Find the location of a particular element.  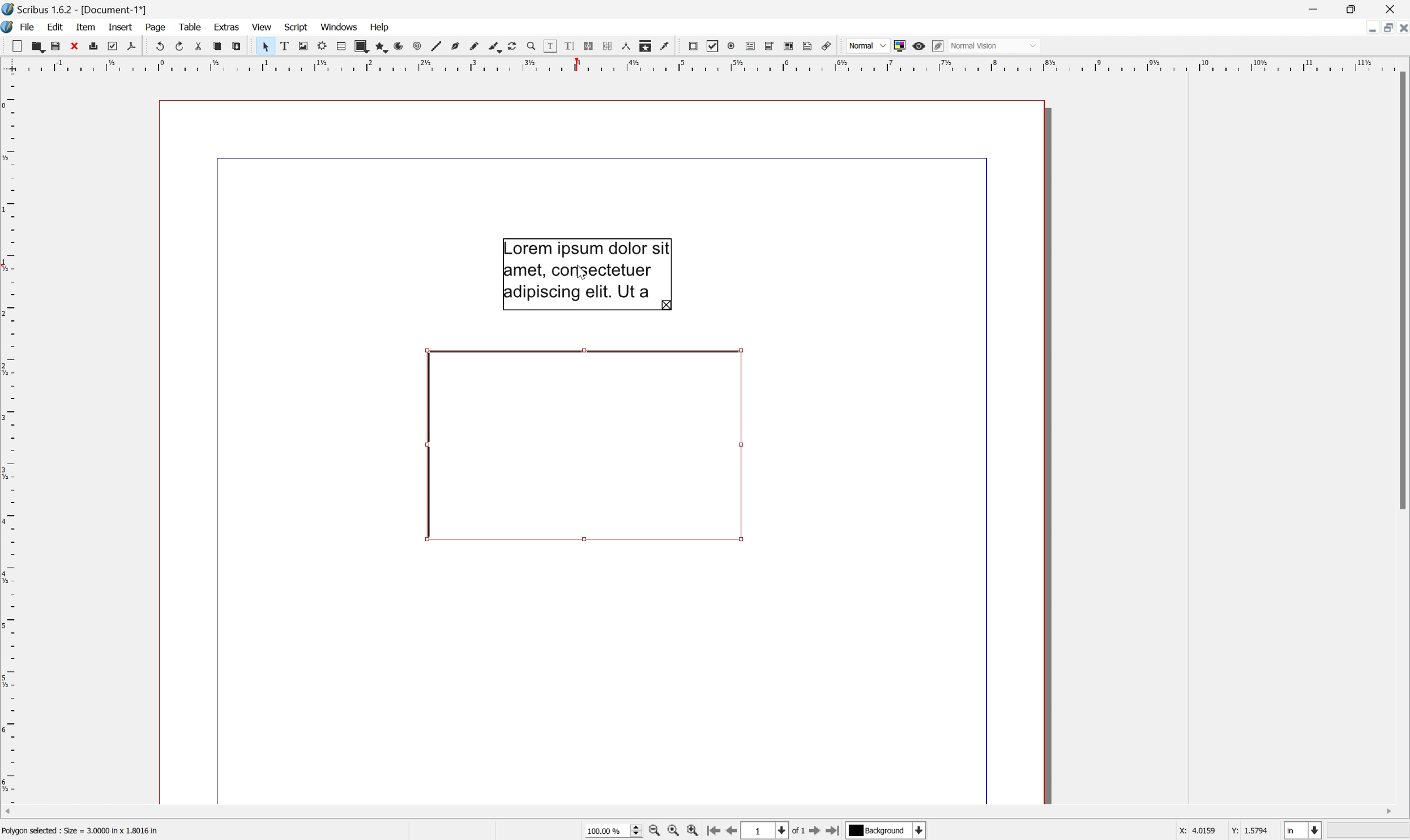

Edit contents of frame is located at coordinates (549, 45).